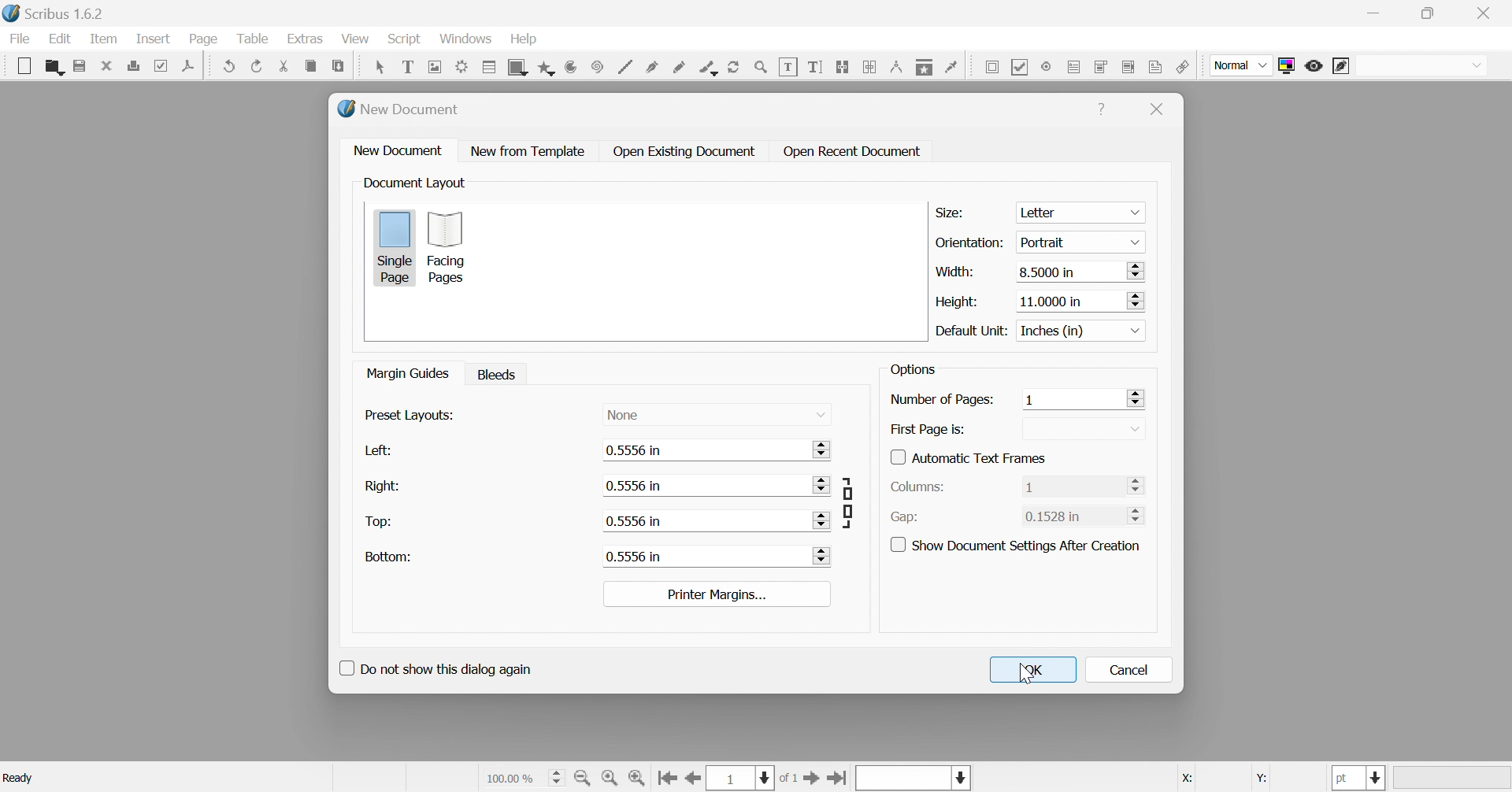 The height and width of the screenshot is (792, 1512). Describe the element at coordinates (681, 68) in the screenshot. I see `freehand line` at that location.